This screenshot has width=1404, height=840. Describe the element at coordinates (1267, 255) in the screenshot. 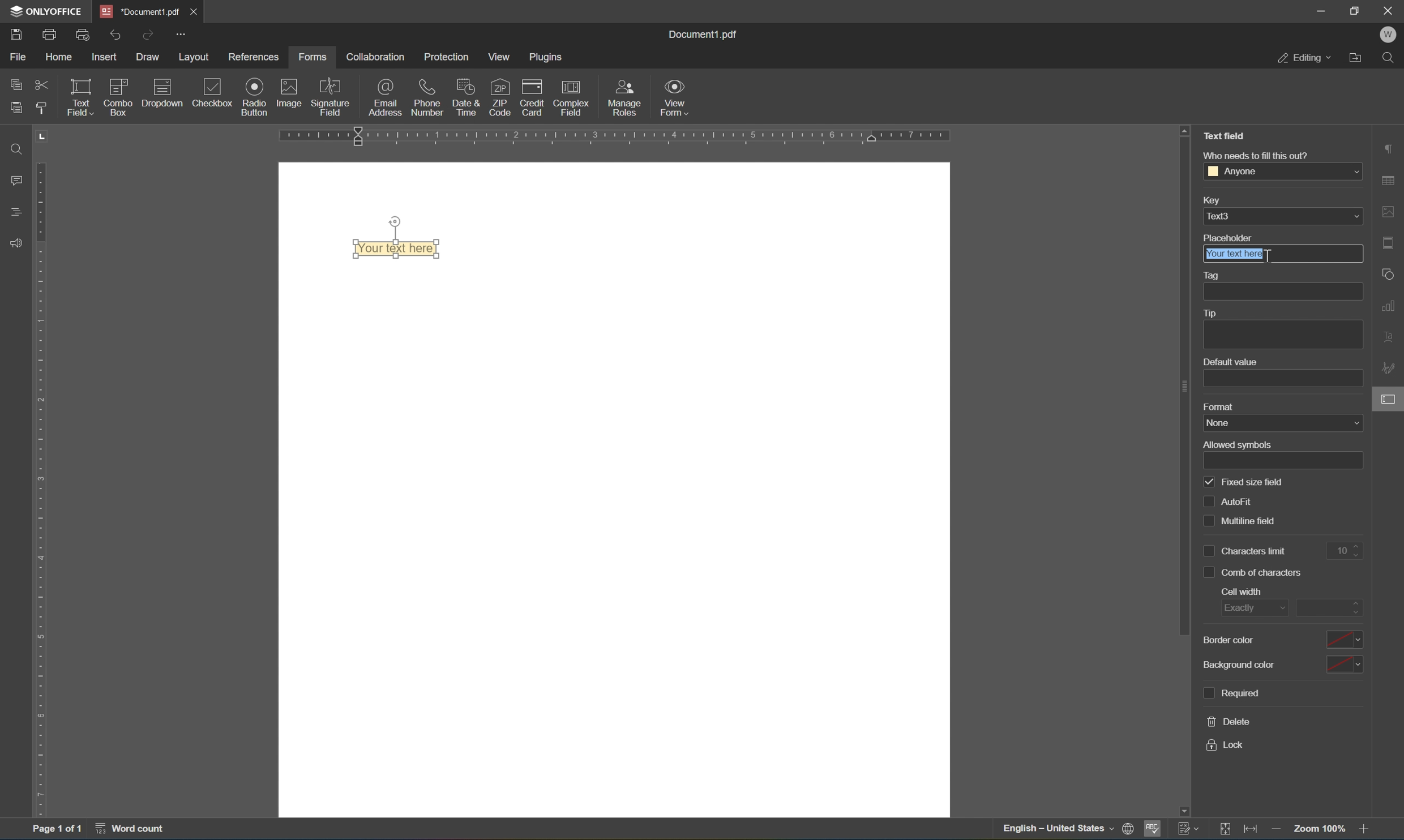

I see `Cursor` at that location.